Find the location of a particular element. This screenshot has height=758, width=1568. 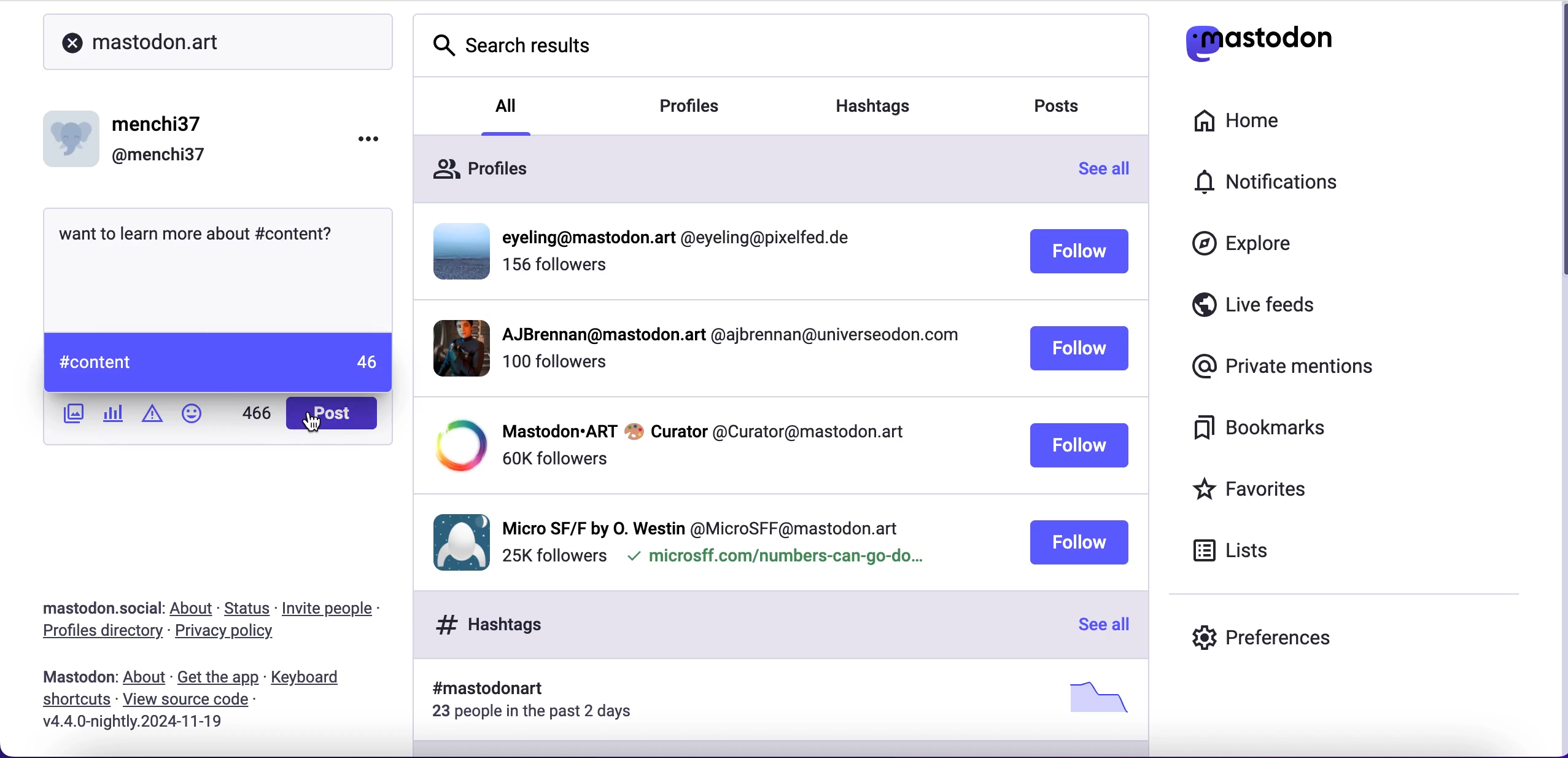

mastodon.art is located at coordinates (141, 39).